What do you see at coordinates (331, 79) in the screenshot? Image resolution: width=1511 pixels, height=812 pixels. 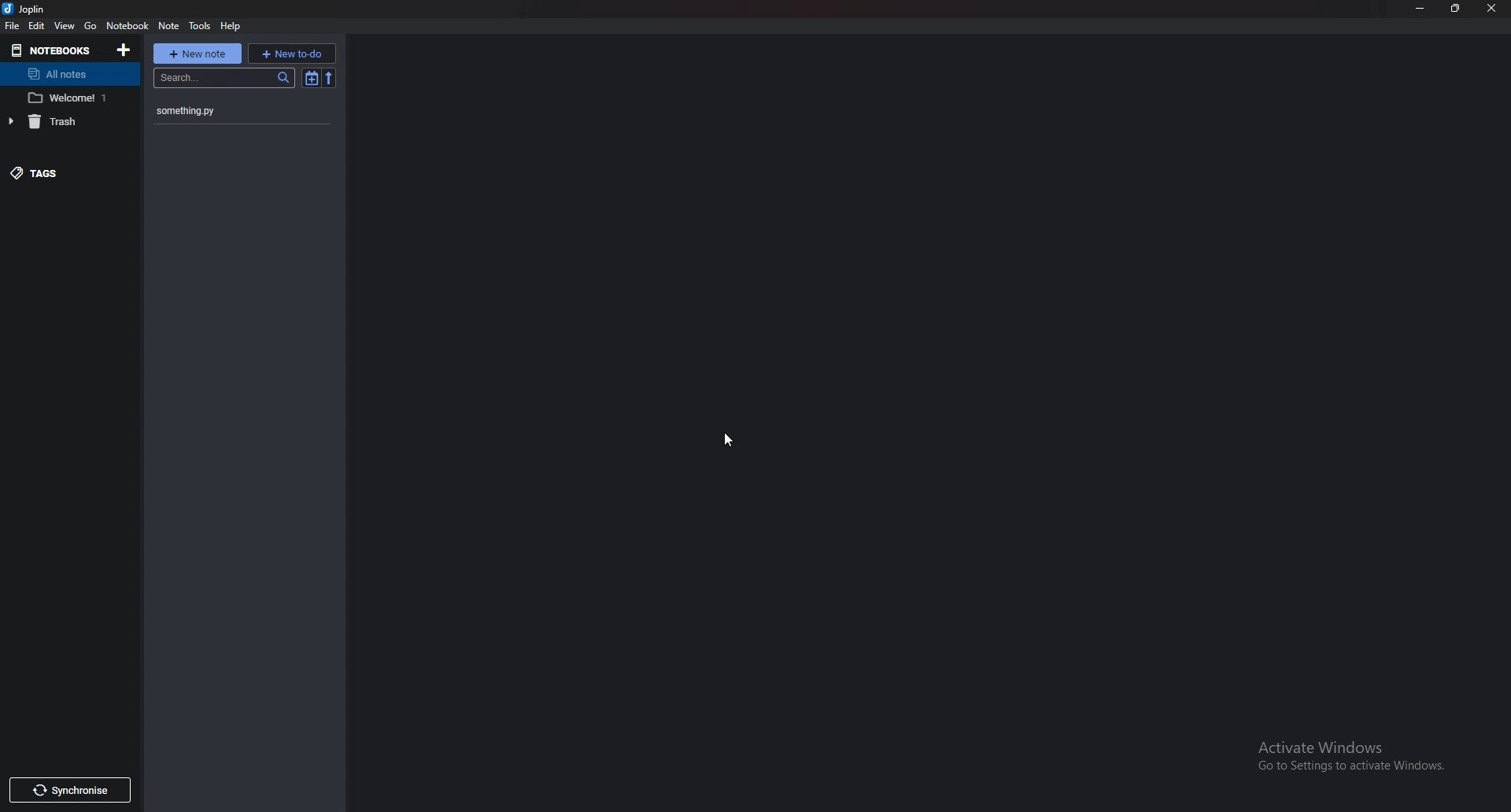 I see `Reverse sort order` at bounding box center [331, 79].